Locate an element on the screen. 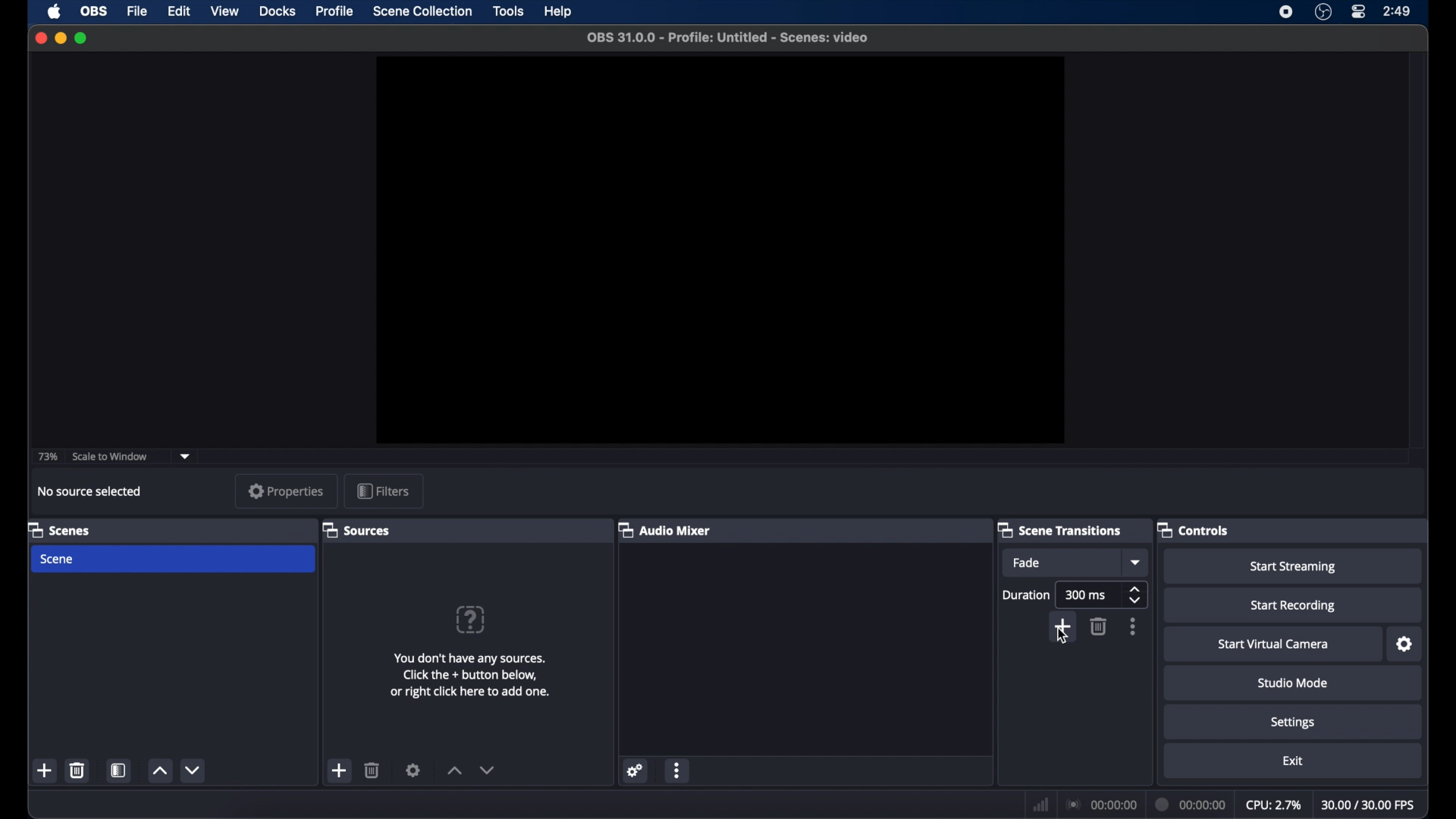  add is located at coordinates (1063, 623).